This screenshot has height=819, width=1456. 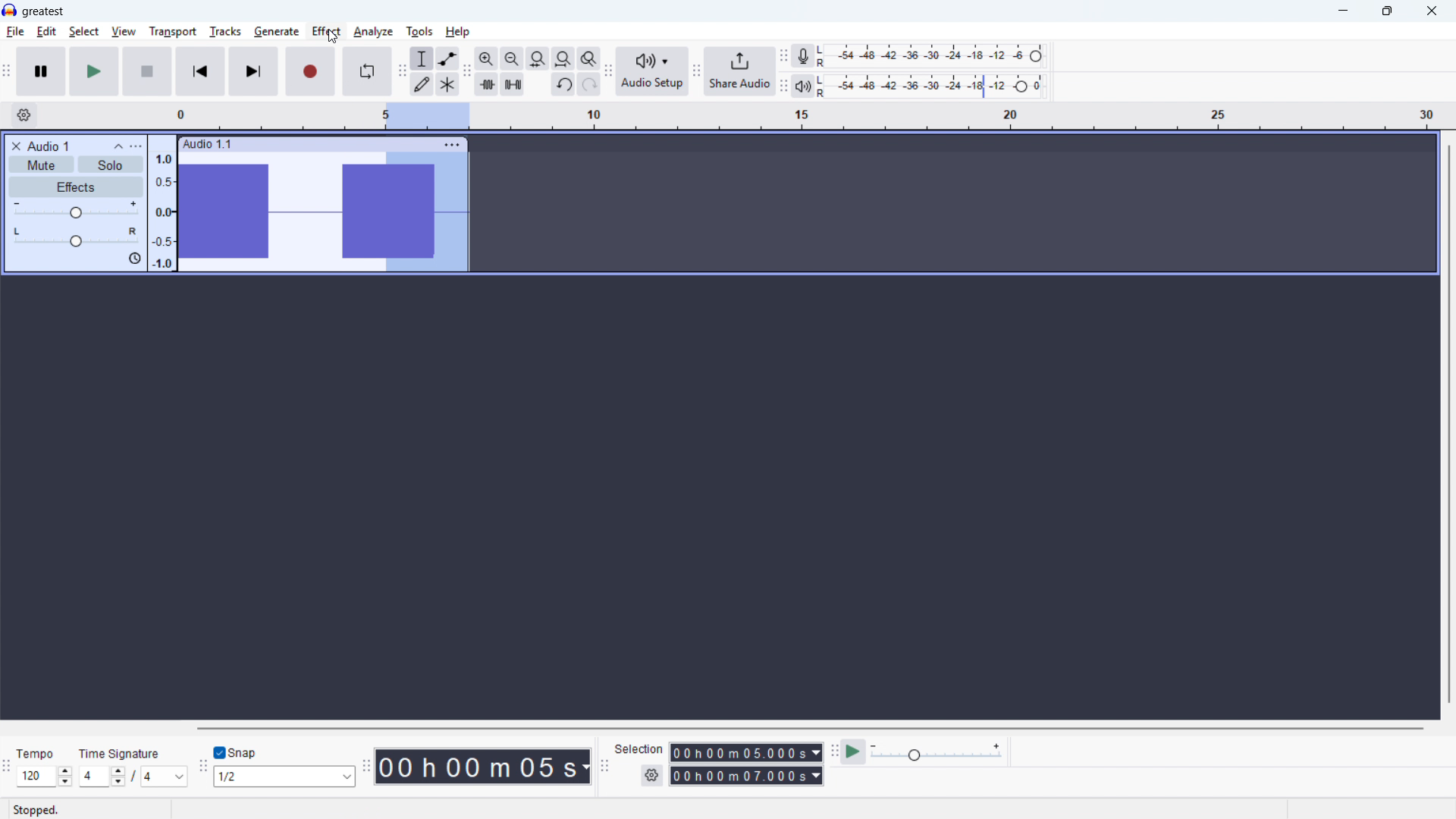 What do you see at coordinates (134, 777) in the screenshot?
I see `Set time signature ` at bounding box center [134, 777].